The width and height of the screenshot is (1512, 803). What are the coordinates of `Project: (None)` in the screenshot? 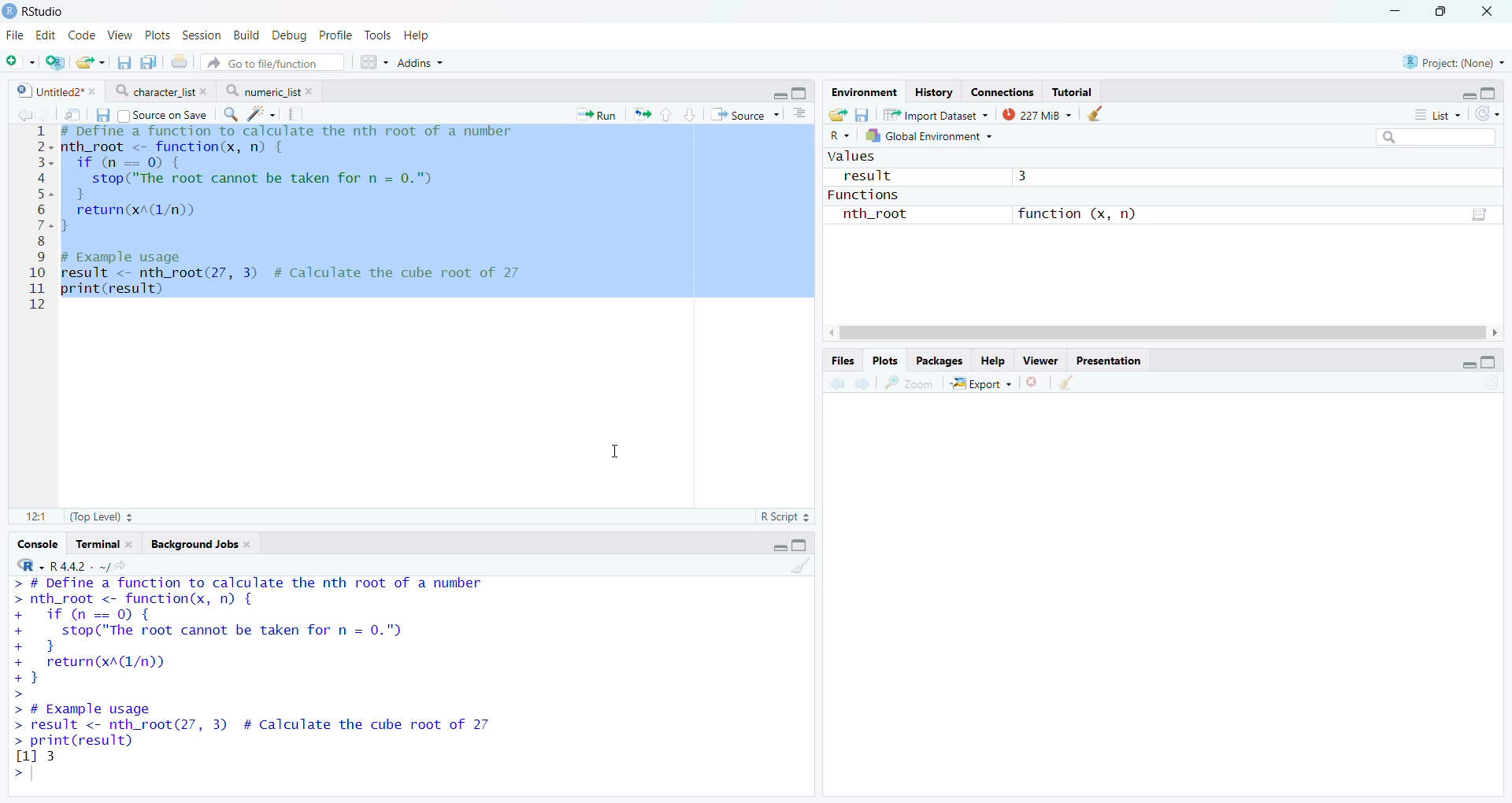 It's located at (1454, 61).